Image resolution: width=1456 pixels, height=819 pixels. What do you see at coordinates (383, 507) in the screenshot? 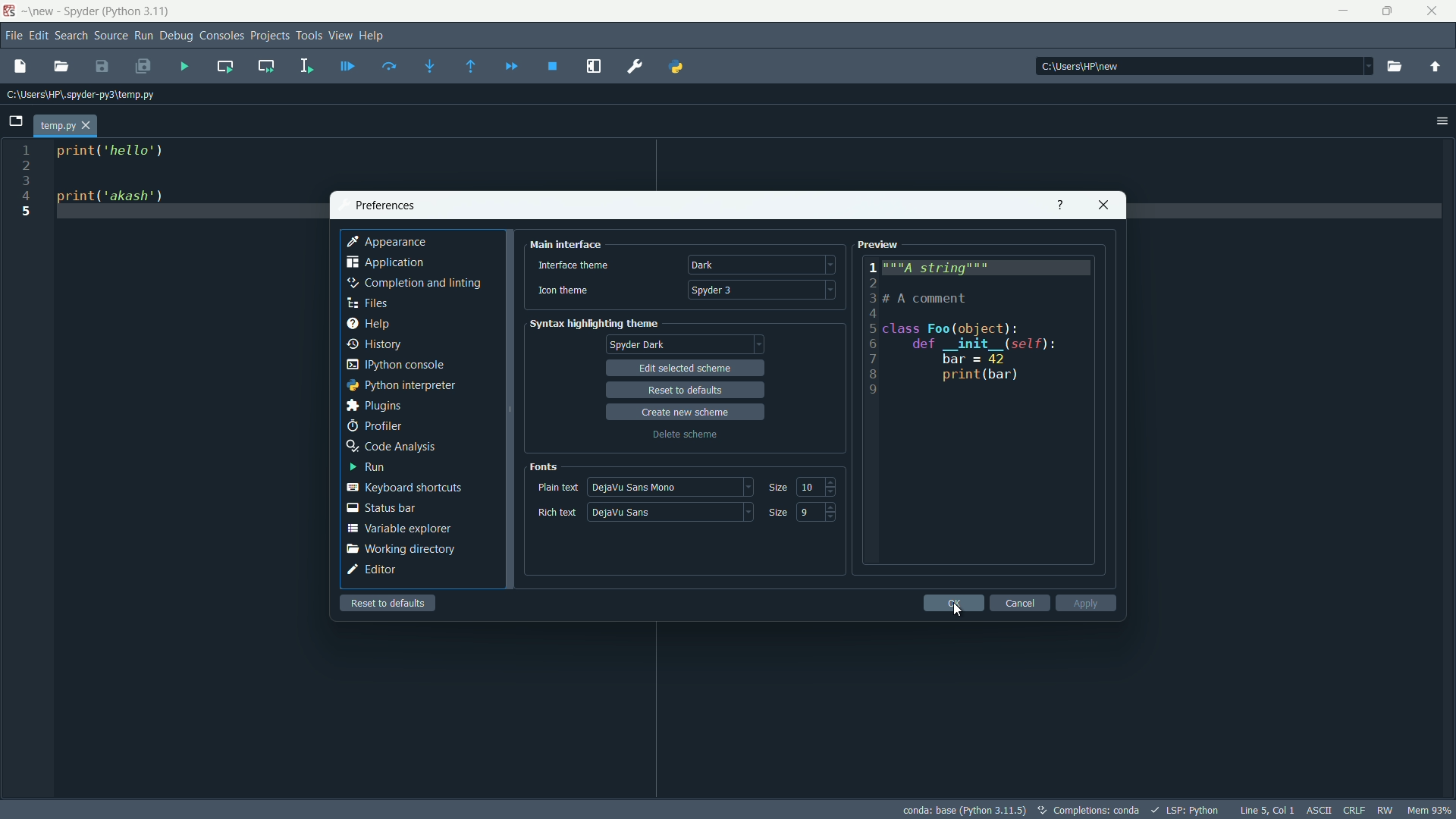
I see `status bar` at bounding box center [383, 507].